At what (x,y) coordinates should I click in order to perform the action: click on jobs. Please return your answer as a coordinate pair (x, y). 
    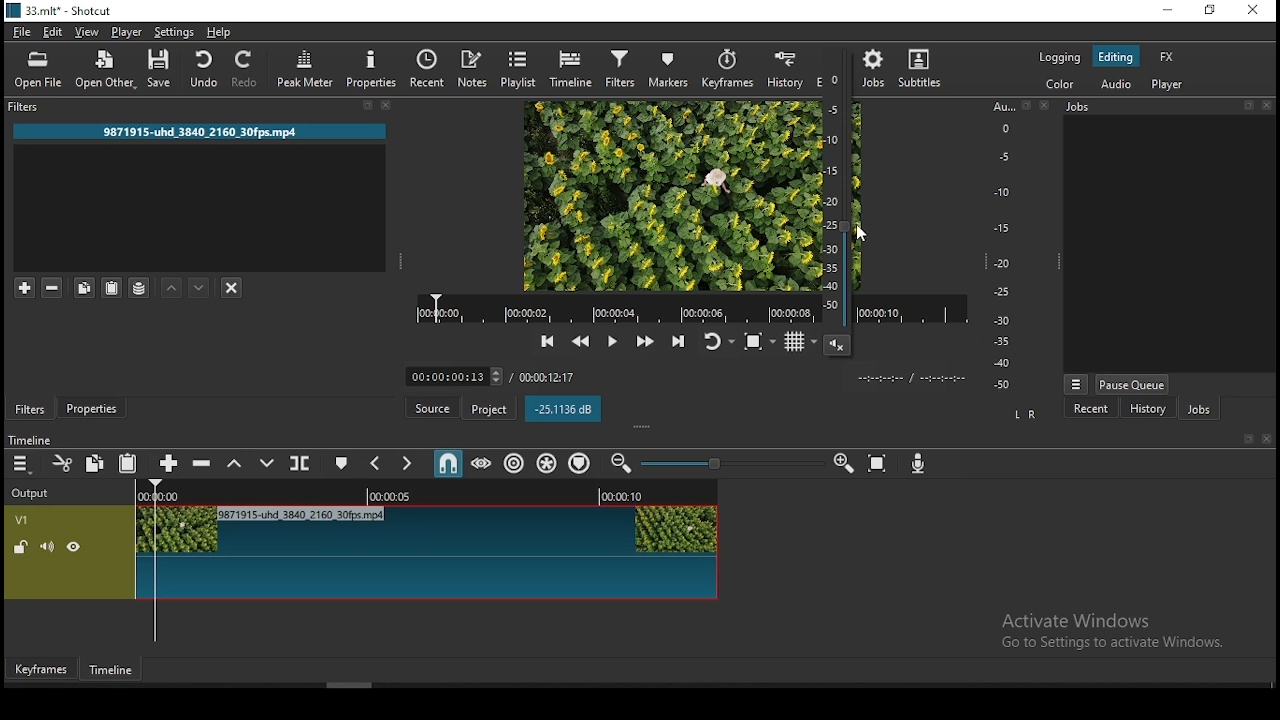
    Looking at the image, I should click on (1203, 409).